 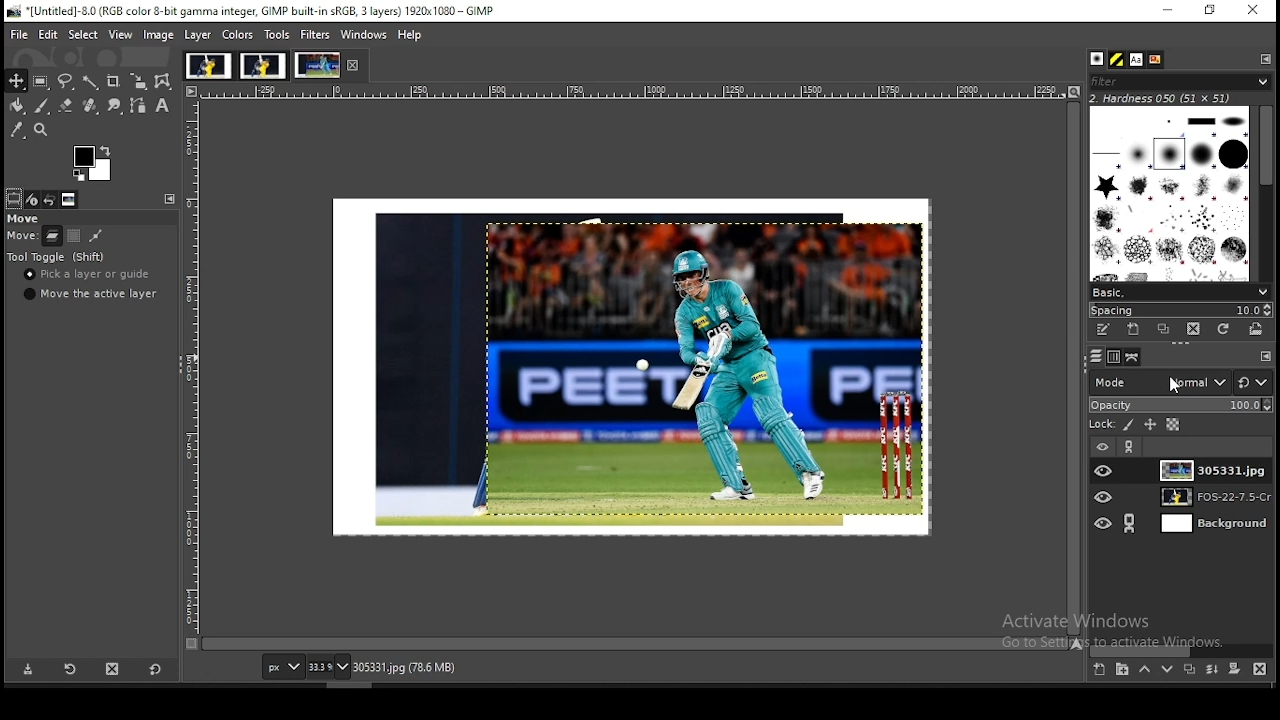 What do you see at coordinates (67, 80) in the screenshot?
I see `free selection tool` at bounding box center [67, 80].